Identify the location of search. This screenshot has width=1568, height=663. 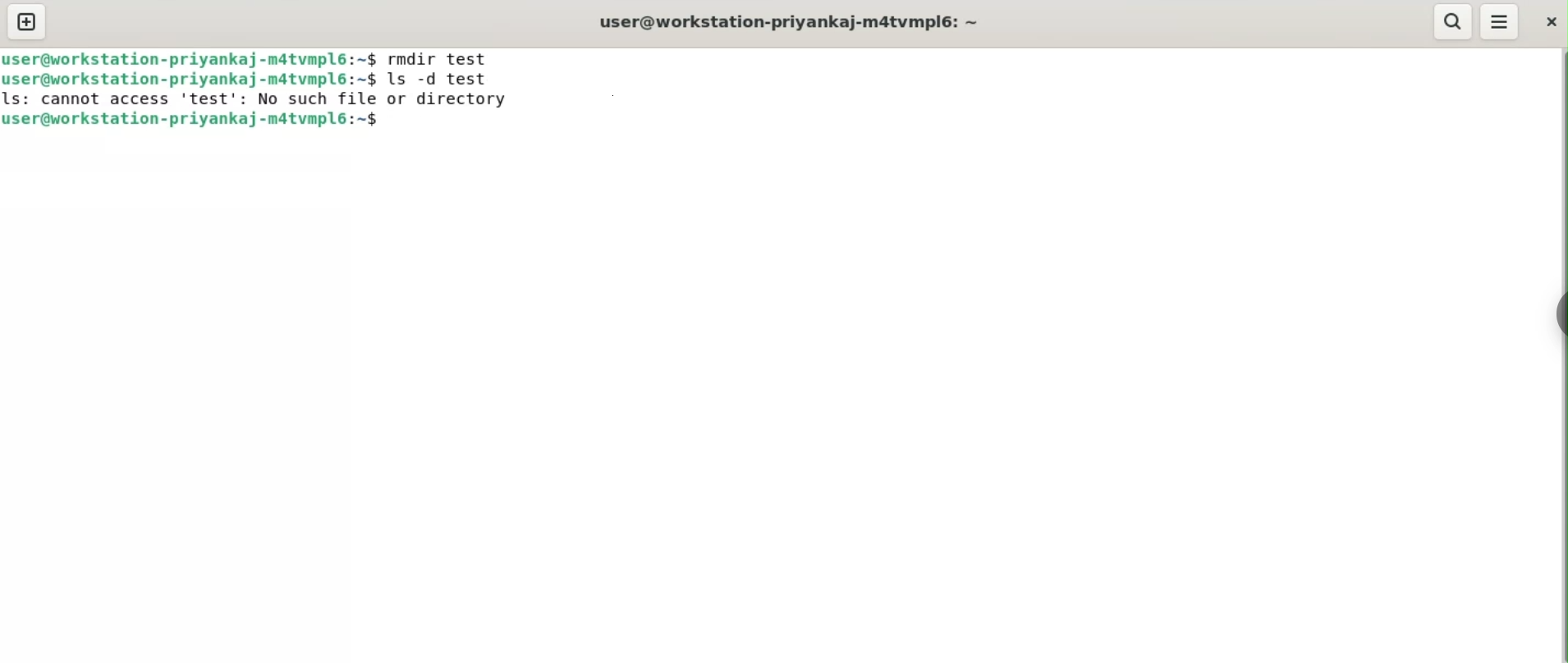
(1452, 22).